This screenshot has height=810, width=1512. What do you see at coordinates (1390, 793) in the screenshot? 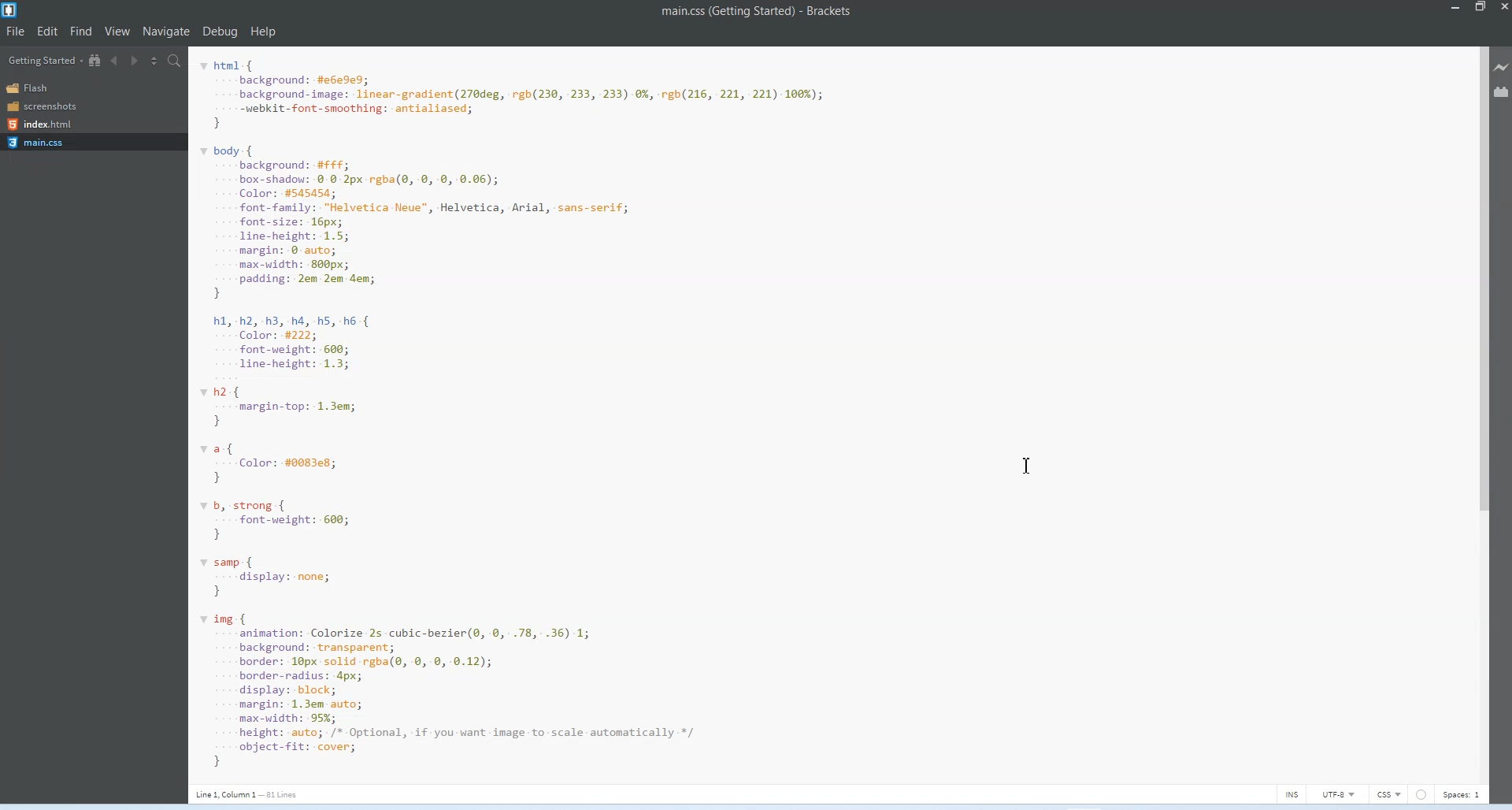
I see `CSS` at bounding box center [1390, 793].